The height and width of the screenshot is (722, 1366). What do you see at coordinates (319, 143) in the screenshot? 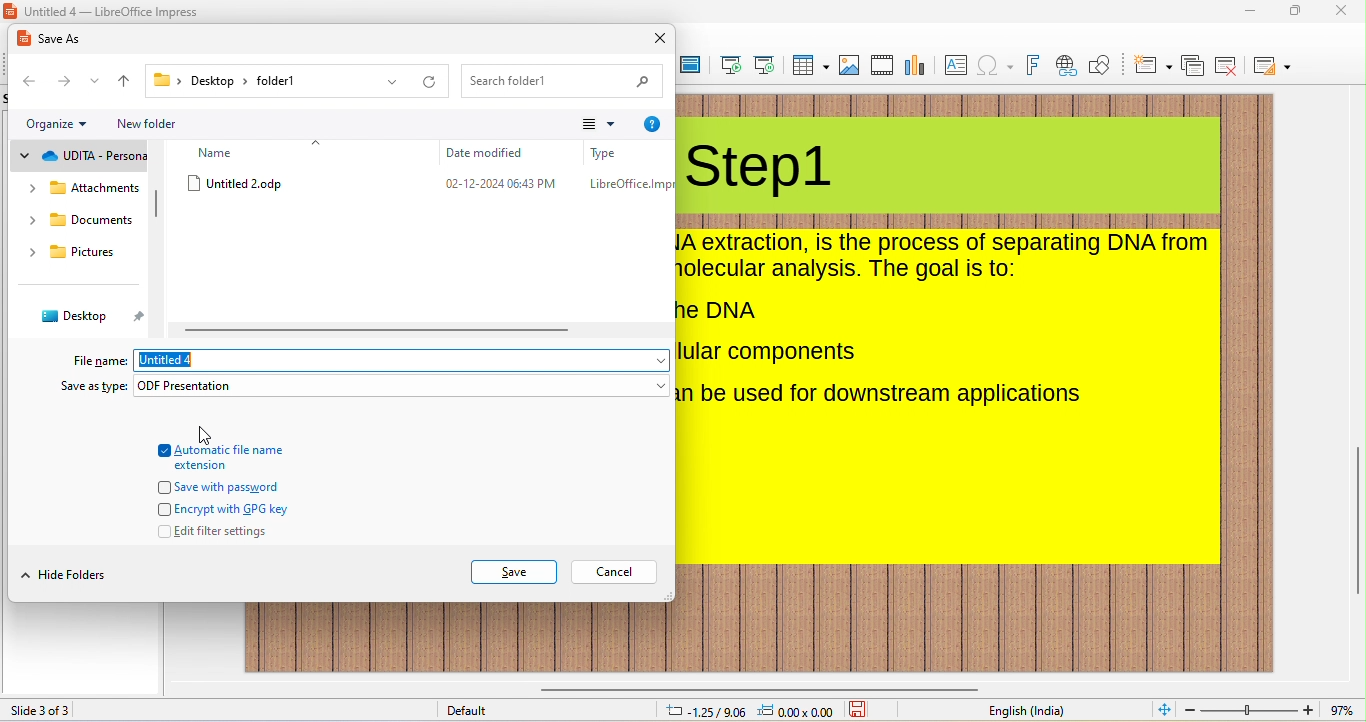
I see `drop down` at bounding box center [319, 143].